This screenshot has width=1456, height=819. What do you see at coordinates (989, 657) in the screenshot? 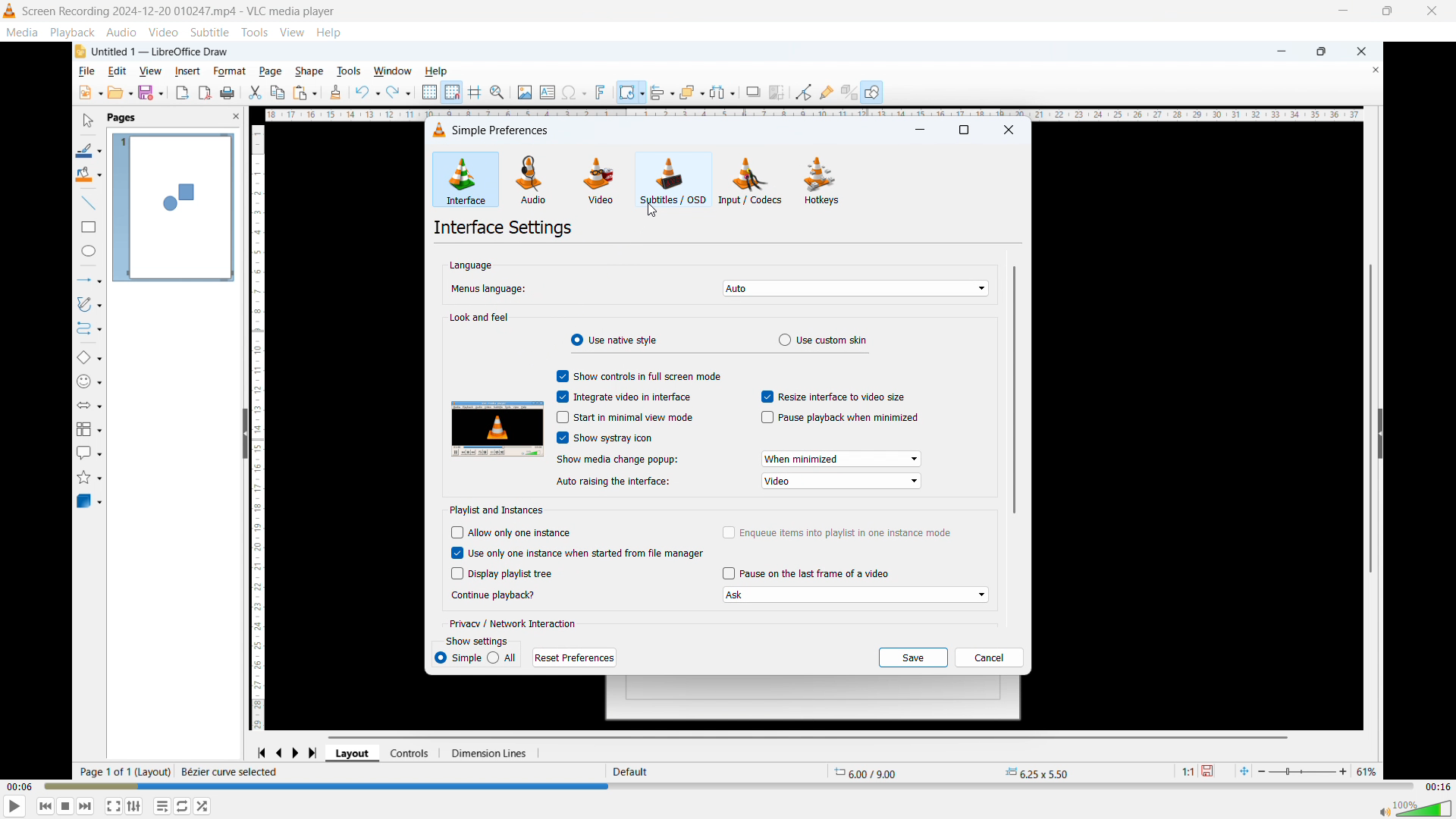
I see `cancel` at bounding box center [989, 657].